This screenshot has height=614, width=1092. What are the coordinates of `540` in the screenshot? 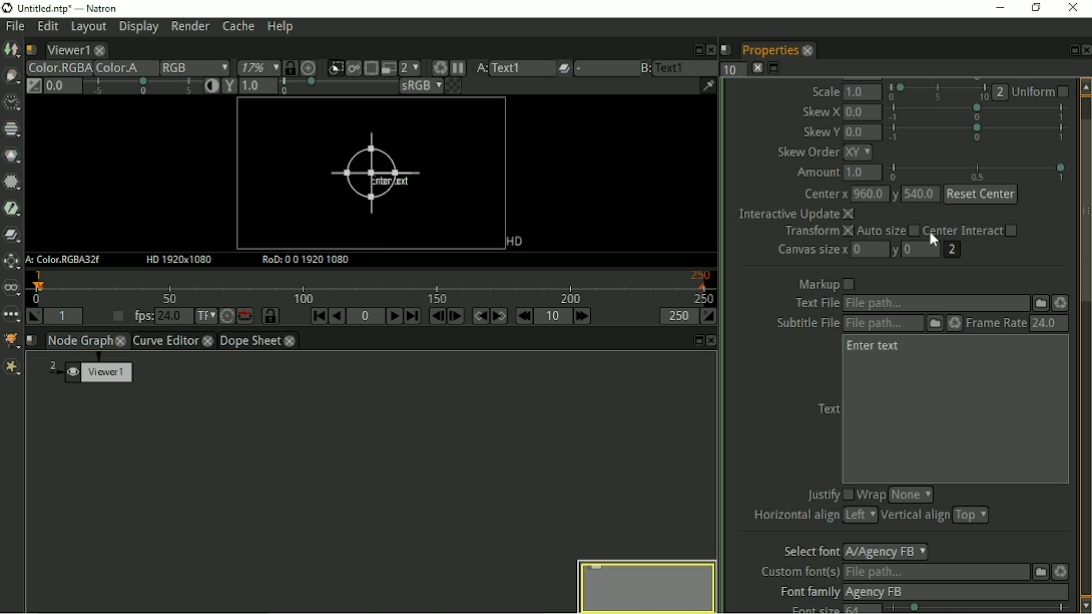 It's located at (921, 196).